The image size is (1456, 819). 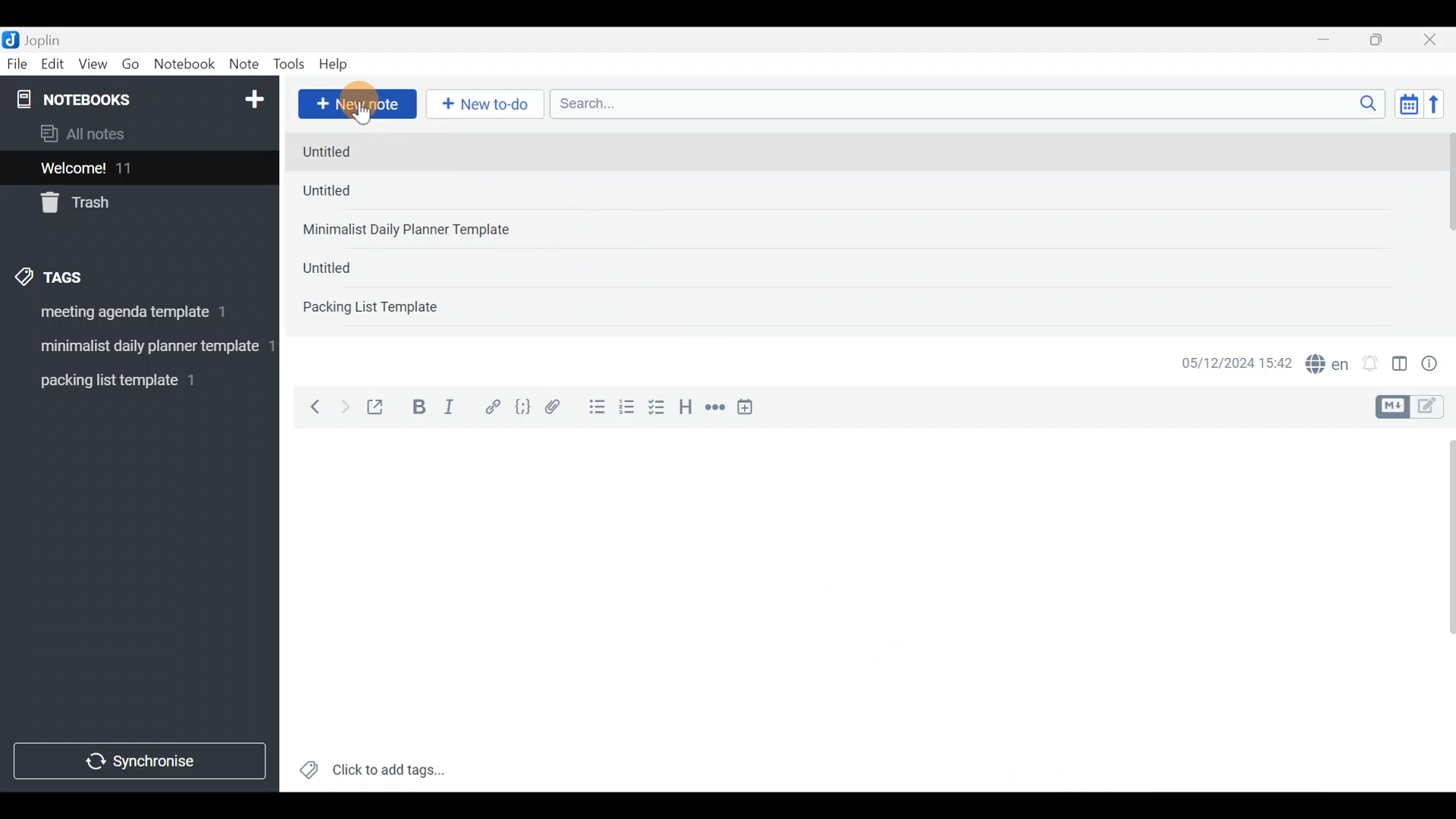 I want to click on Code, so click(x=521, y=406).